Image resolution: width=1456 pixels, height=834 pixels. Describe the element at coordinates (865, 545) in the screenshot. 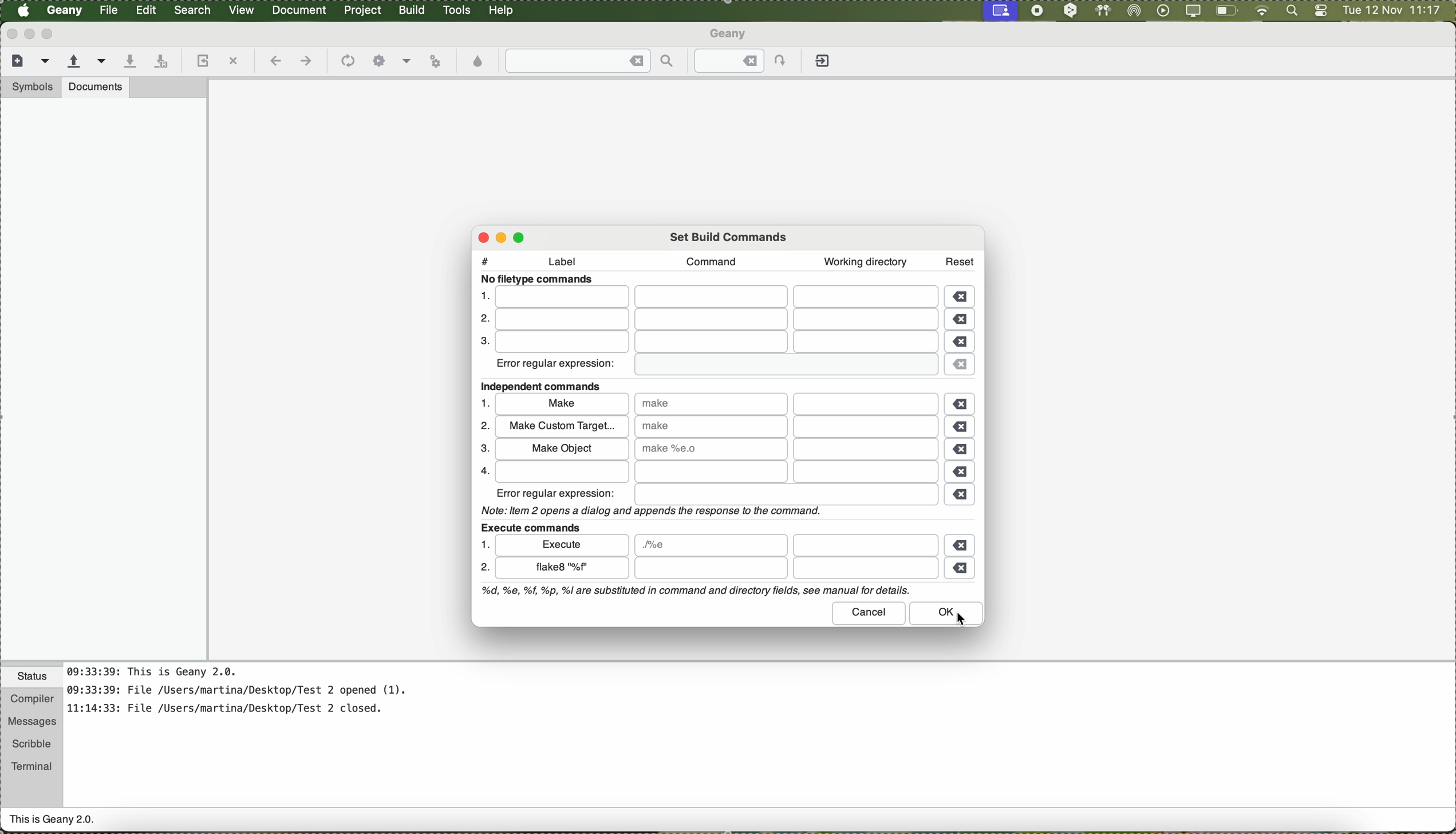

I see `file` at that location.